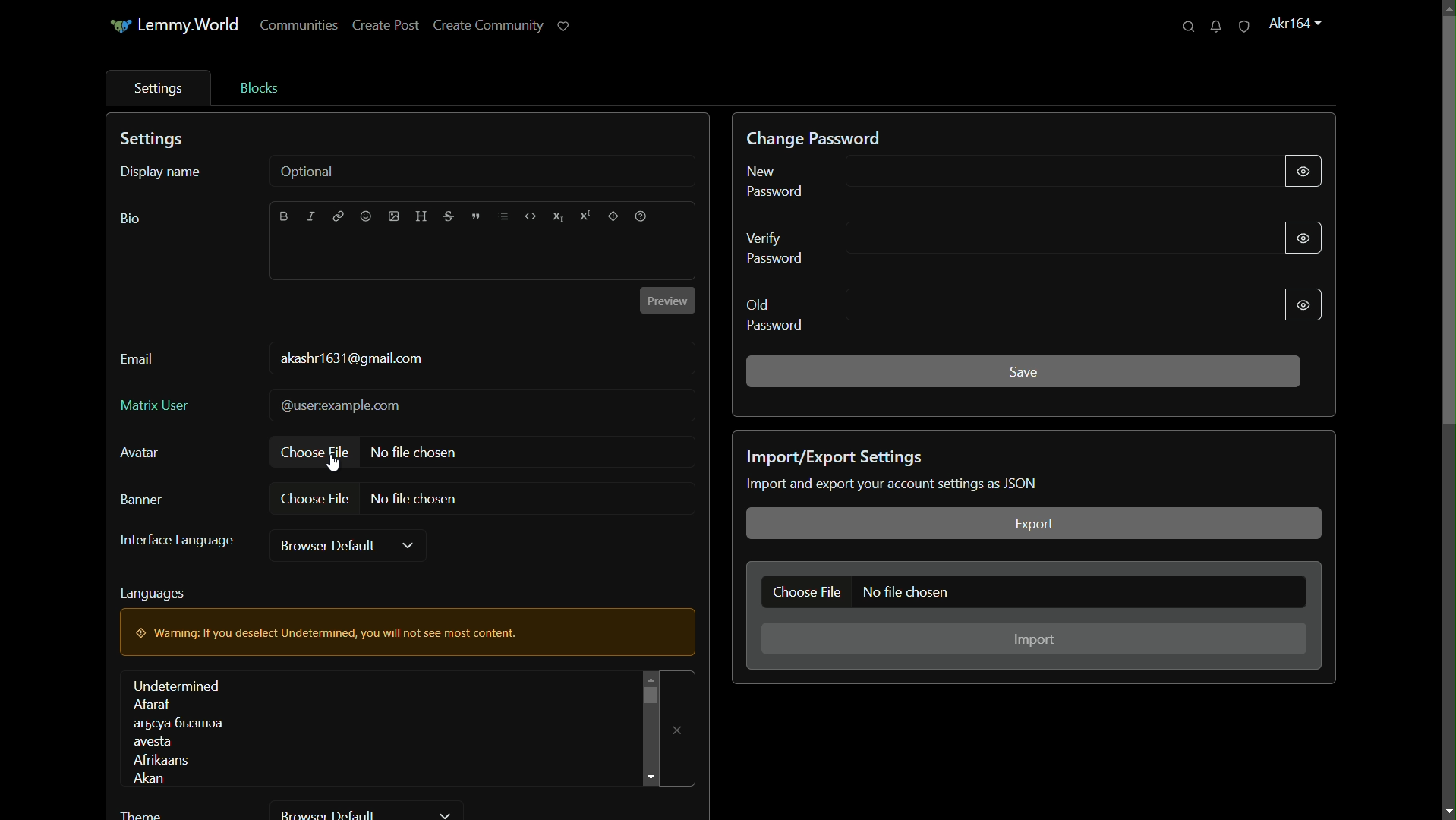  Describe the element at coordinates (1243, 27) in the screenshot. I see `unread reports` at that location.